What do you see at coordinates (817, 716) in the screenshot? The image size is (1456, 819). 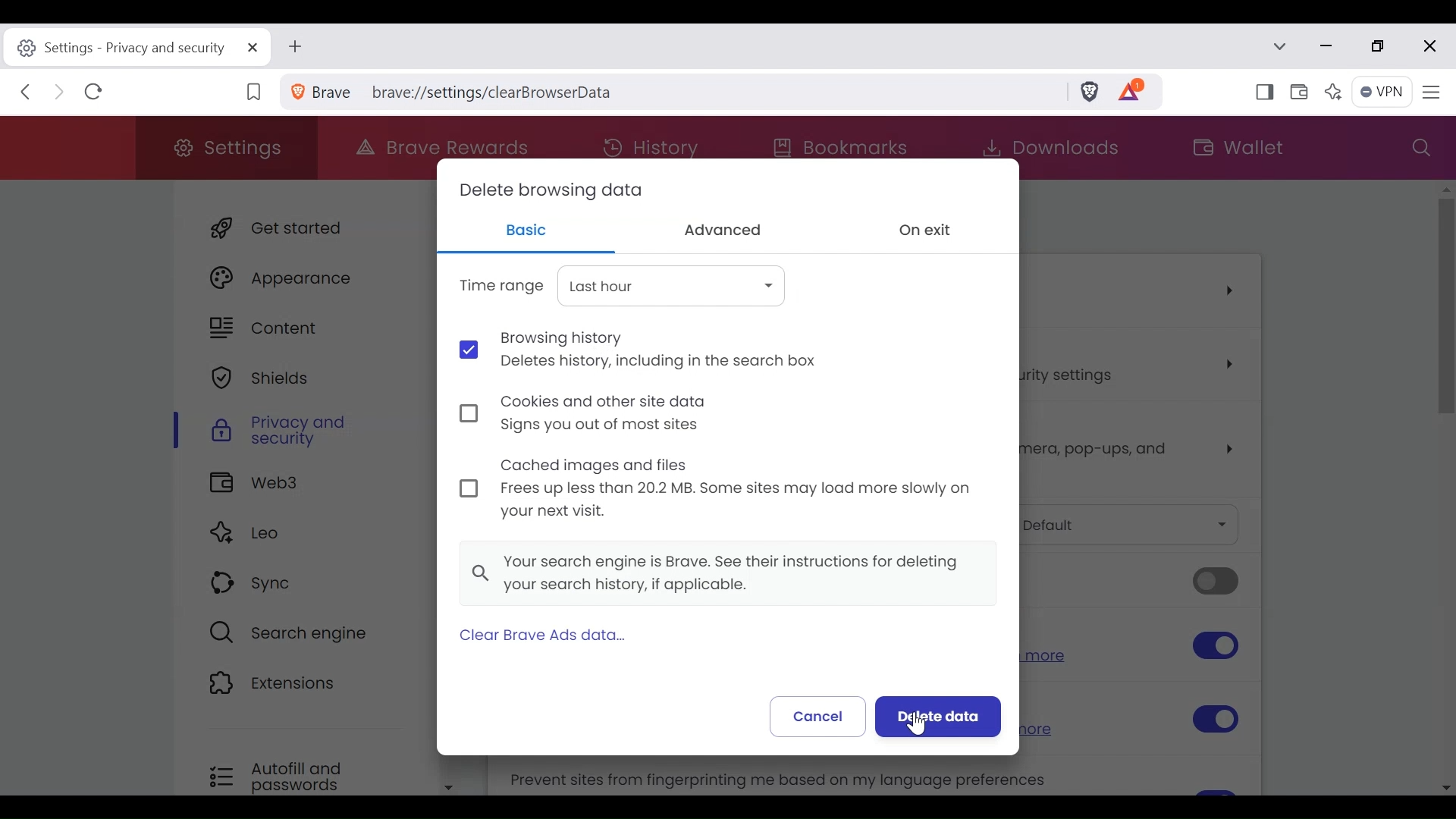 I see `Cancel` at bounding box center [817, 716].